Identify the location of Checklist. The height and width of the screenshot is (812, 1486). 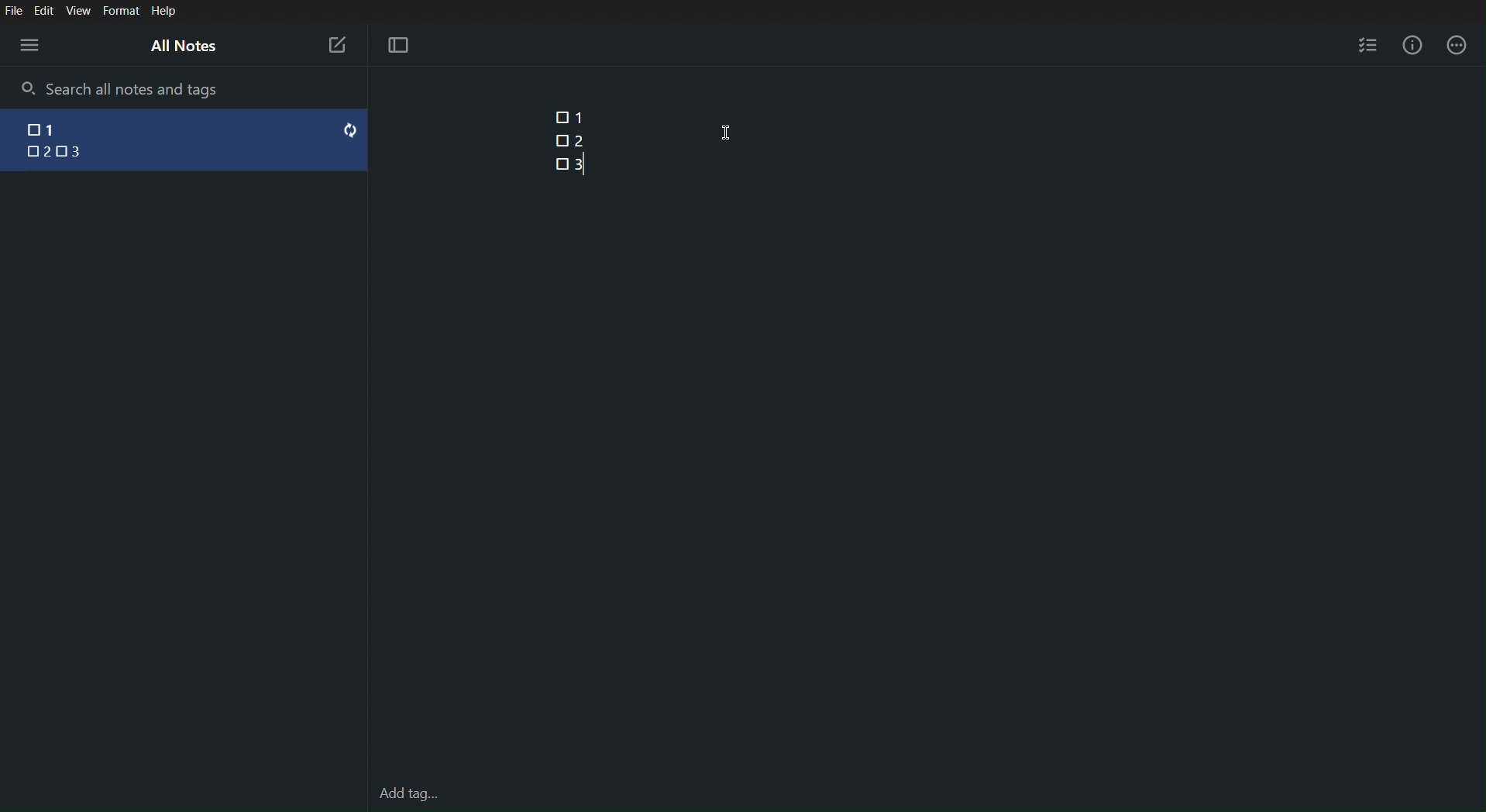
(1367, 43).